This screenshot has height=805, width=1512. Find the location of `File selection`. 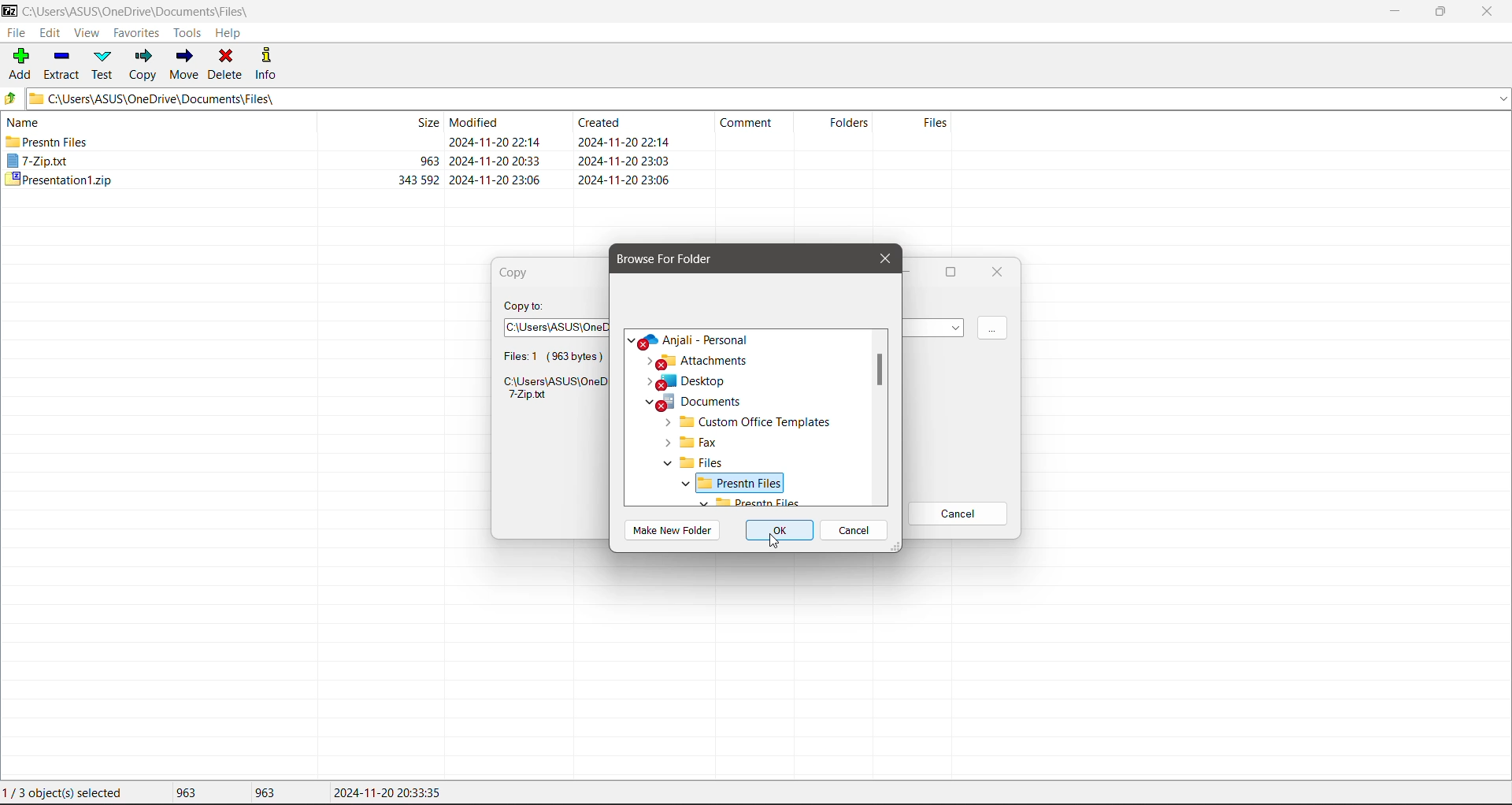

File selection is located at coordinates (549, 354).